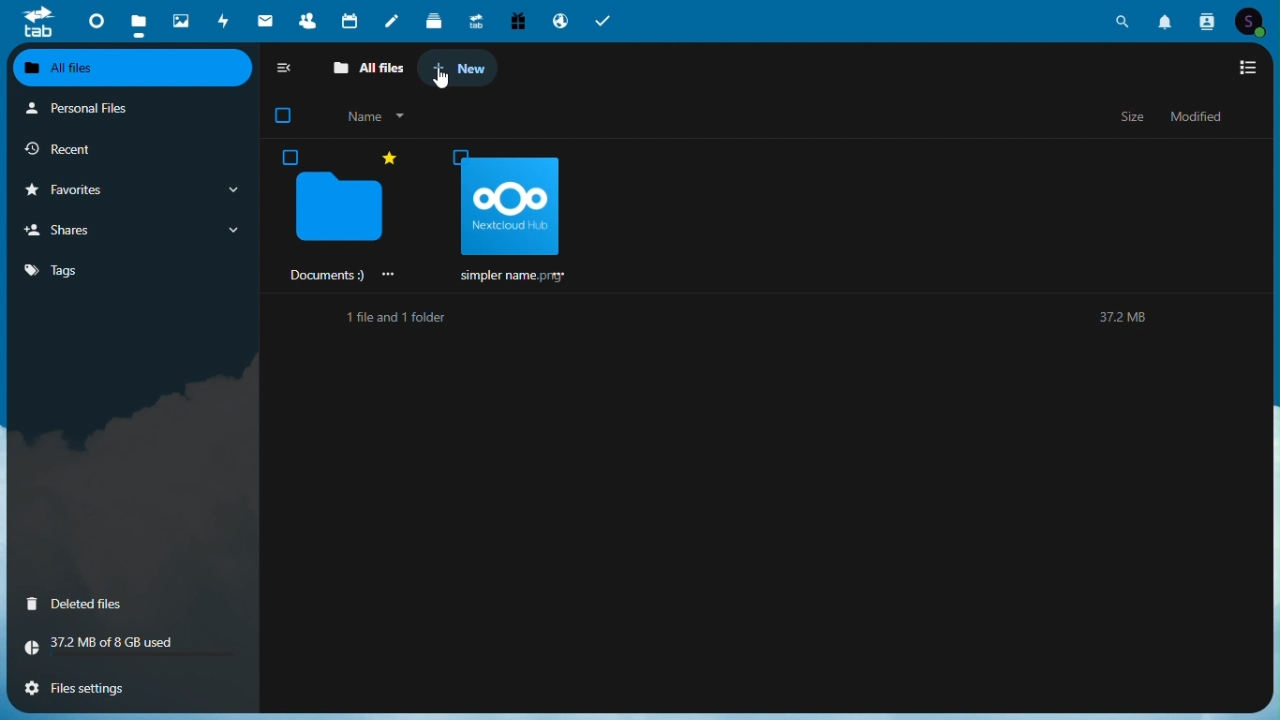 The height and width of the screenshot is (720, 1280). Describe the element at coordinates (1167, 21) in the screenshot. I see `Notifications` at that location.